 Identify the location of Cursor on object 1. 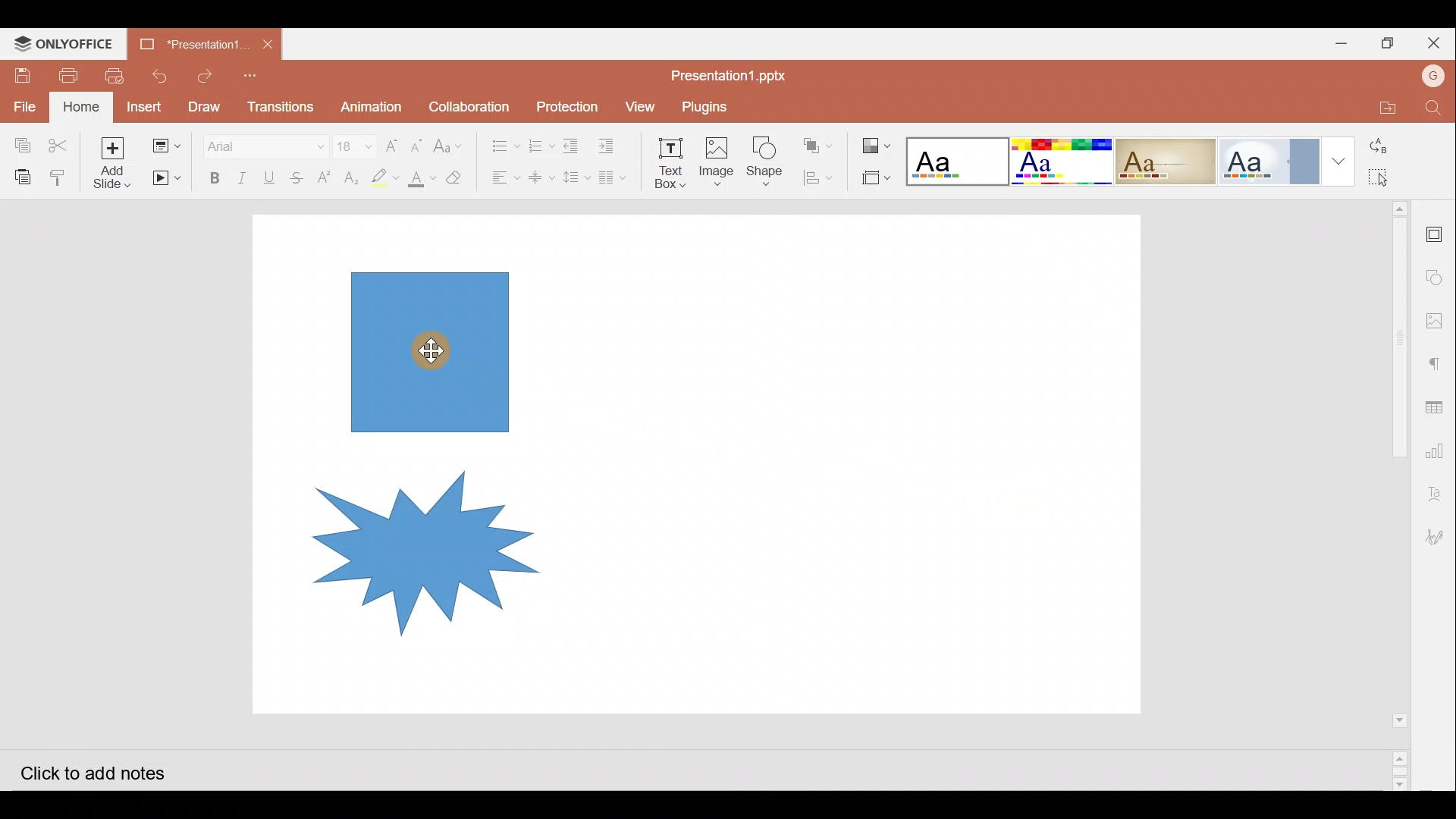
(431, 349).